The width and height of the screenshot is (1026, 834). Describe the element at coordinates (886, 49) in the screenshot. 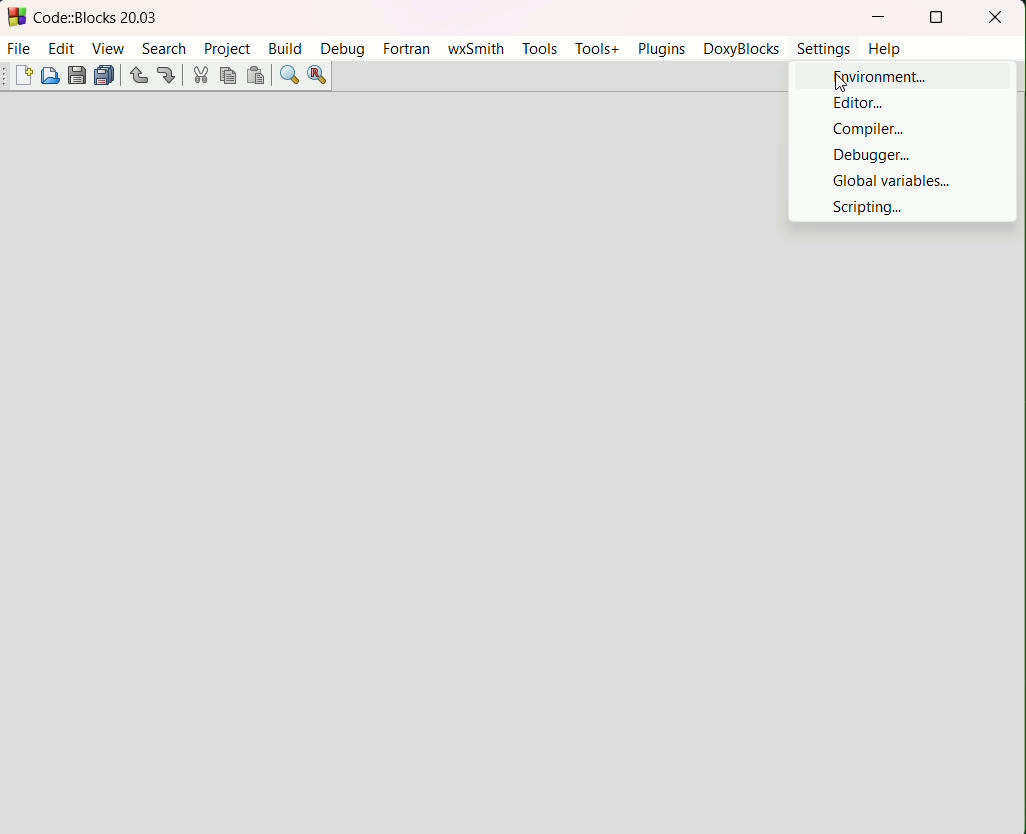

I see `help` at that location.